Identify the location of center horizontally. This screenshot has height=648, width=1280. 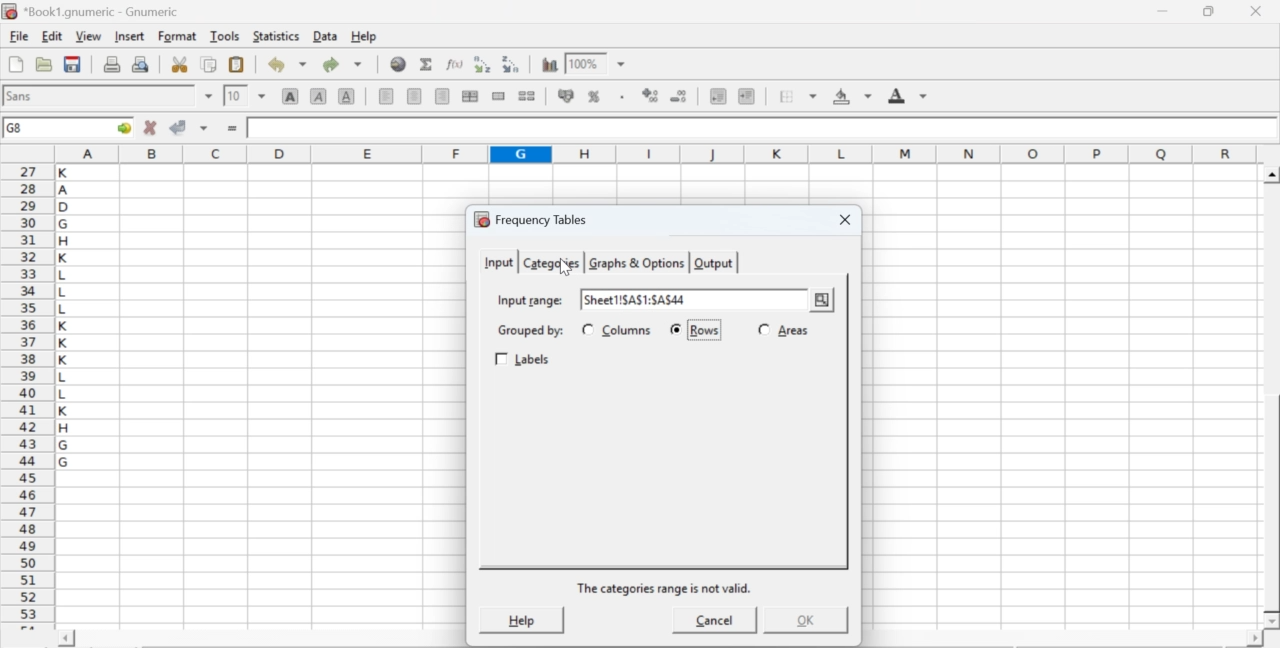
(415, 96).